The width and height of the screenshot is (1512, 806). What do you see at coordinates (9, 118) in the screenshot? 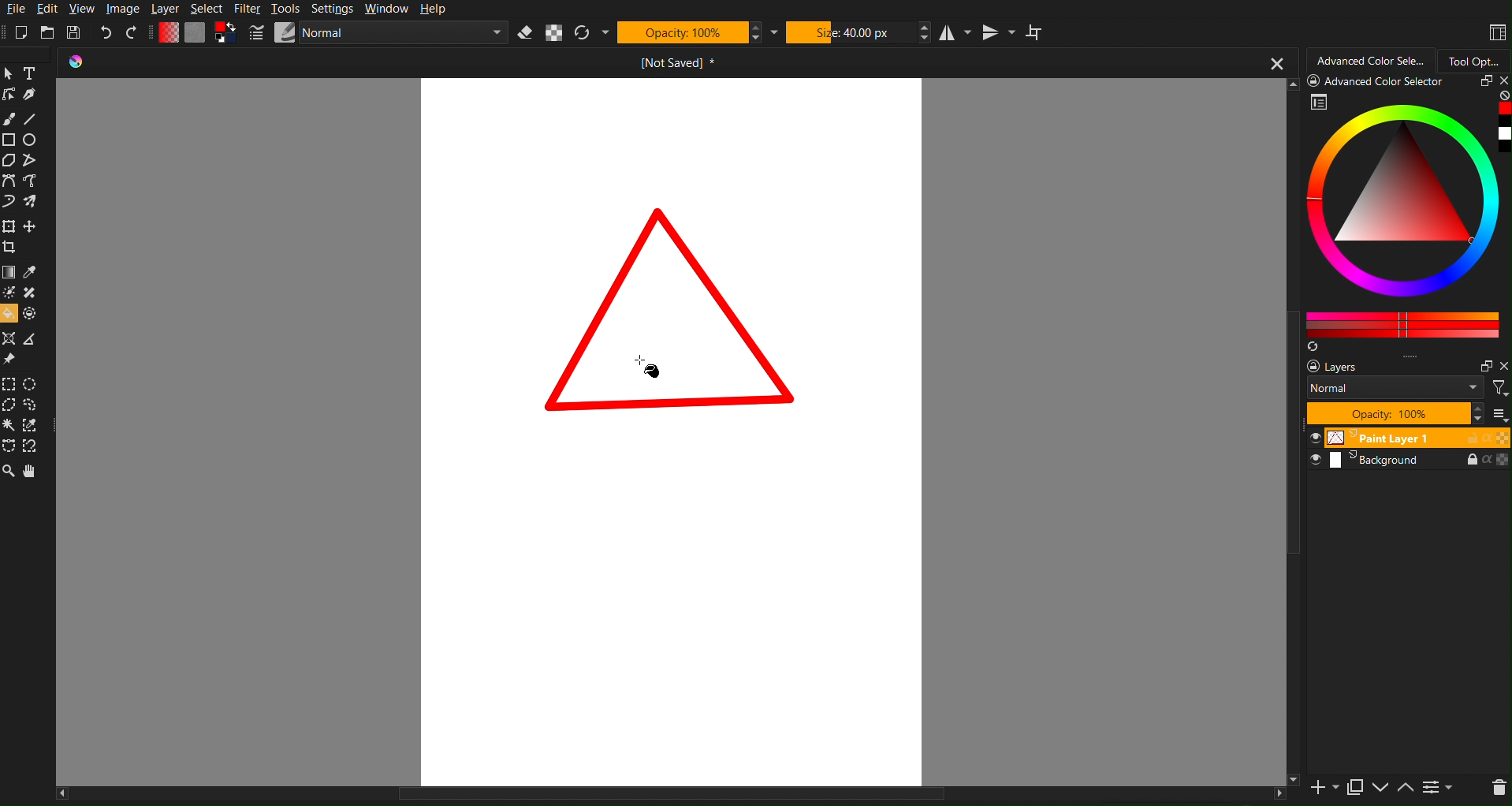
I see `Brush Tools` at bounding box center [9, 118].